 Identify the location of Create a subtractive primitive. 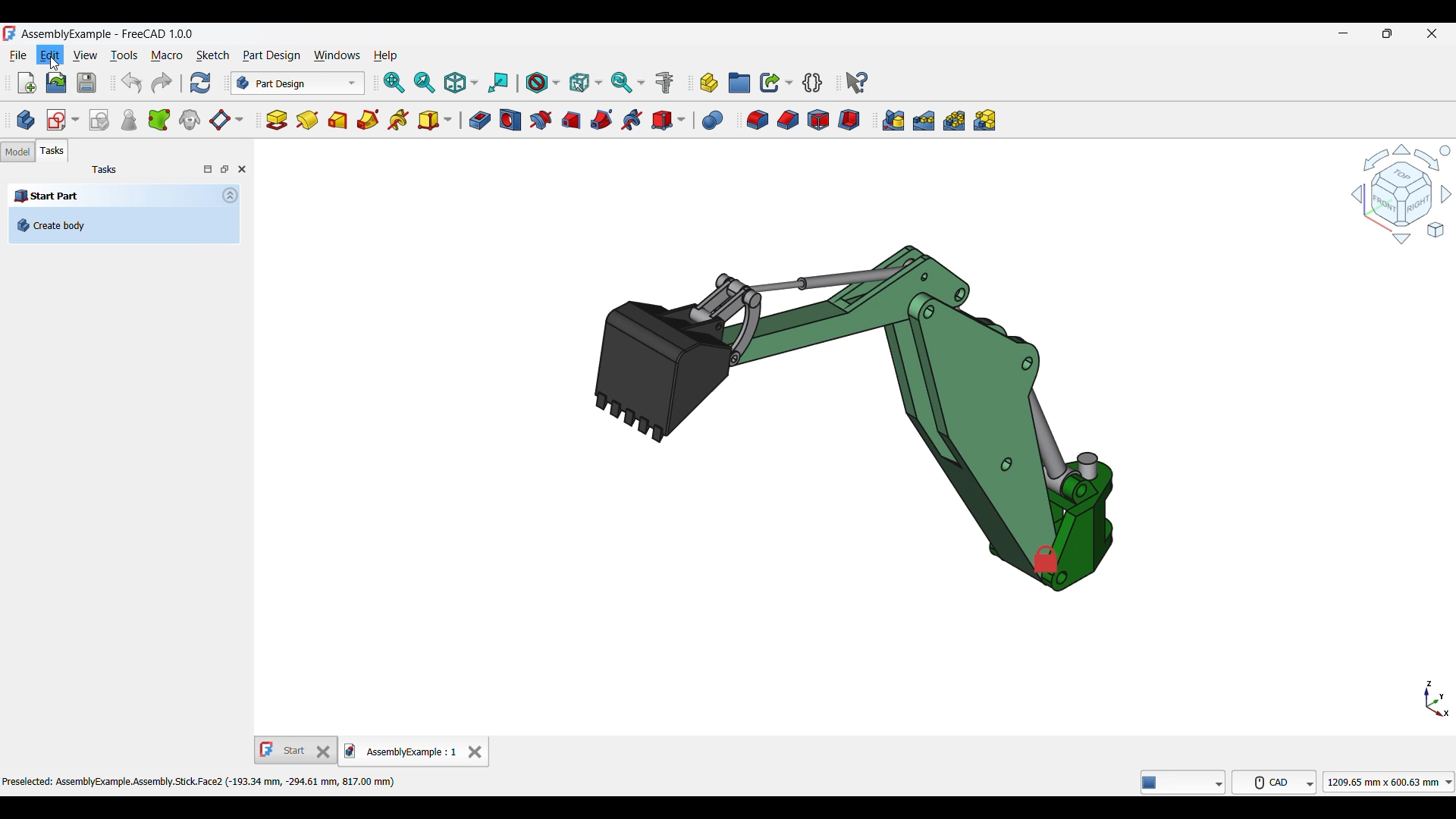
(668, 121).